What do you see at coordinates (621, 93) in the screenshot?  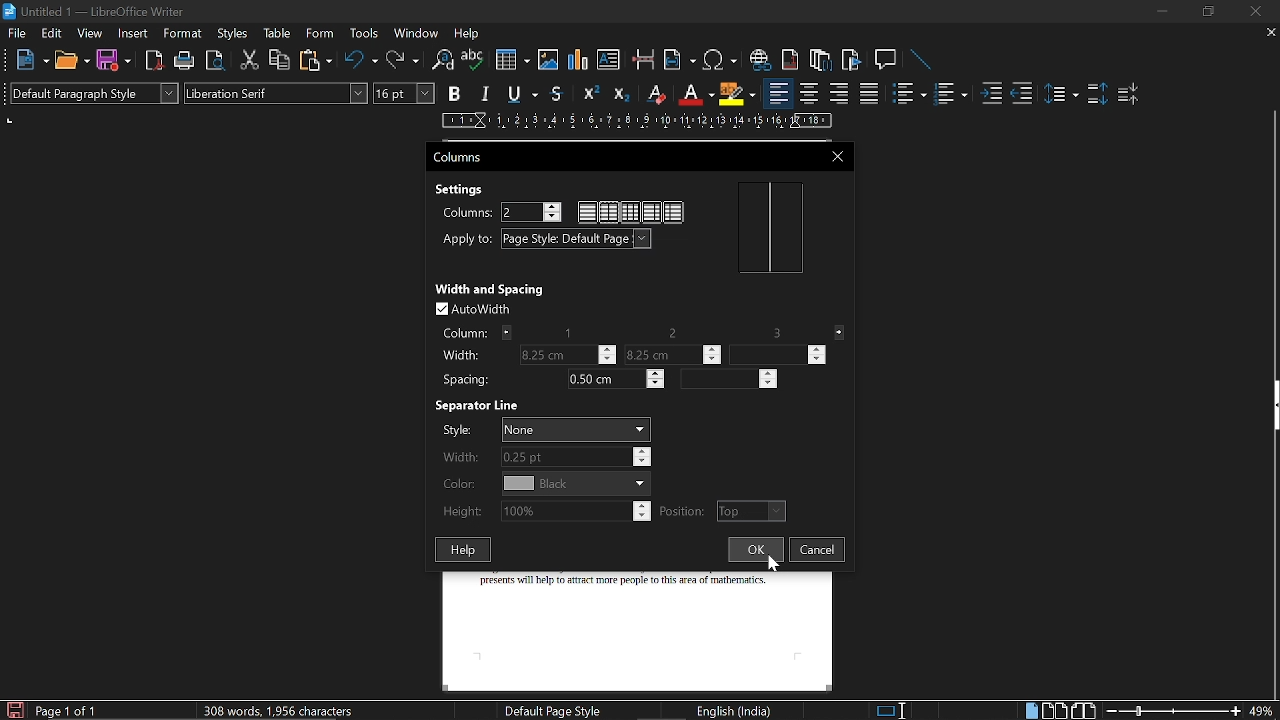 I see `Subscript` at bounding box center [621, 93].